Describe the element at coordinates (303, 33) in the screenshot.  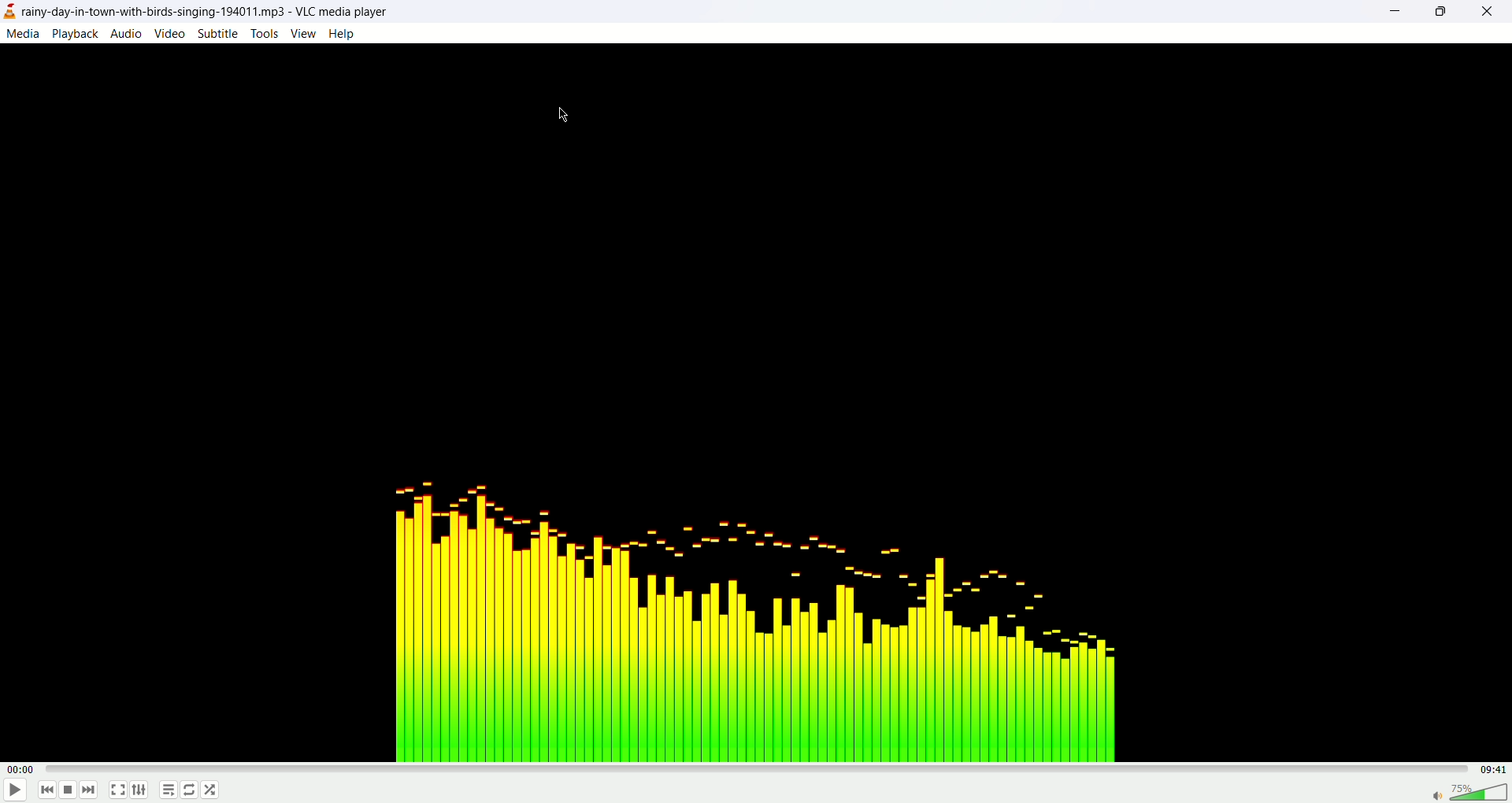
I see `views` at that location.